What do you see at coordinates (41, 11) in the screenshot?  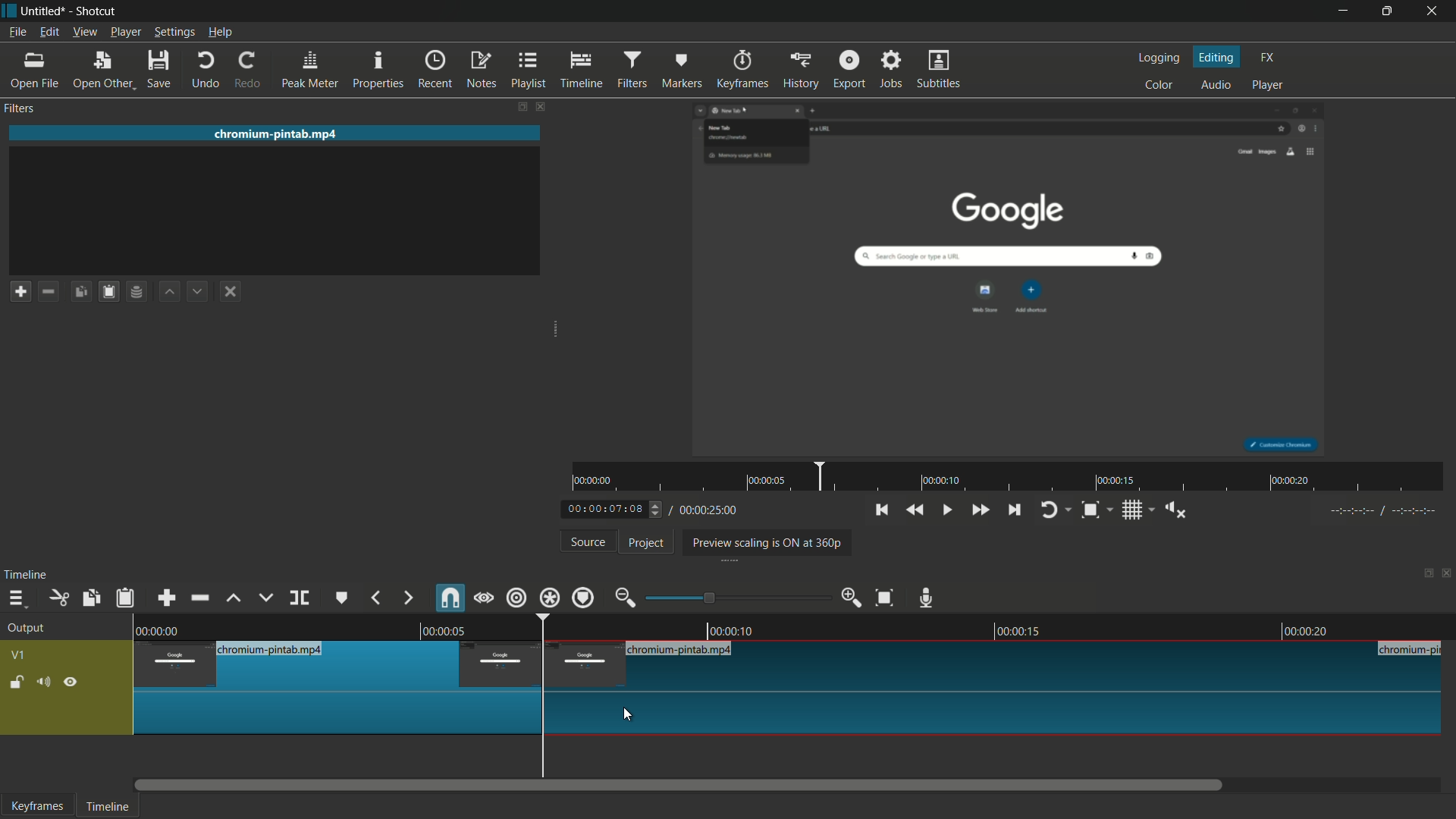 I see `project name` at bounding box center [41, 11].